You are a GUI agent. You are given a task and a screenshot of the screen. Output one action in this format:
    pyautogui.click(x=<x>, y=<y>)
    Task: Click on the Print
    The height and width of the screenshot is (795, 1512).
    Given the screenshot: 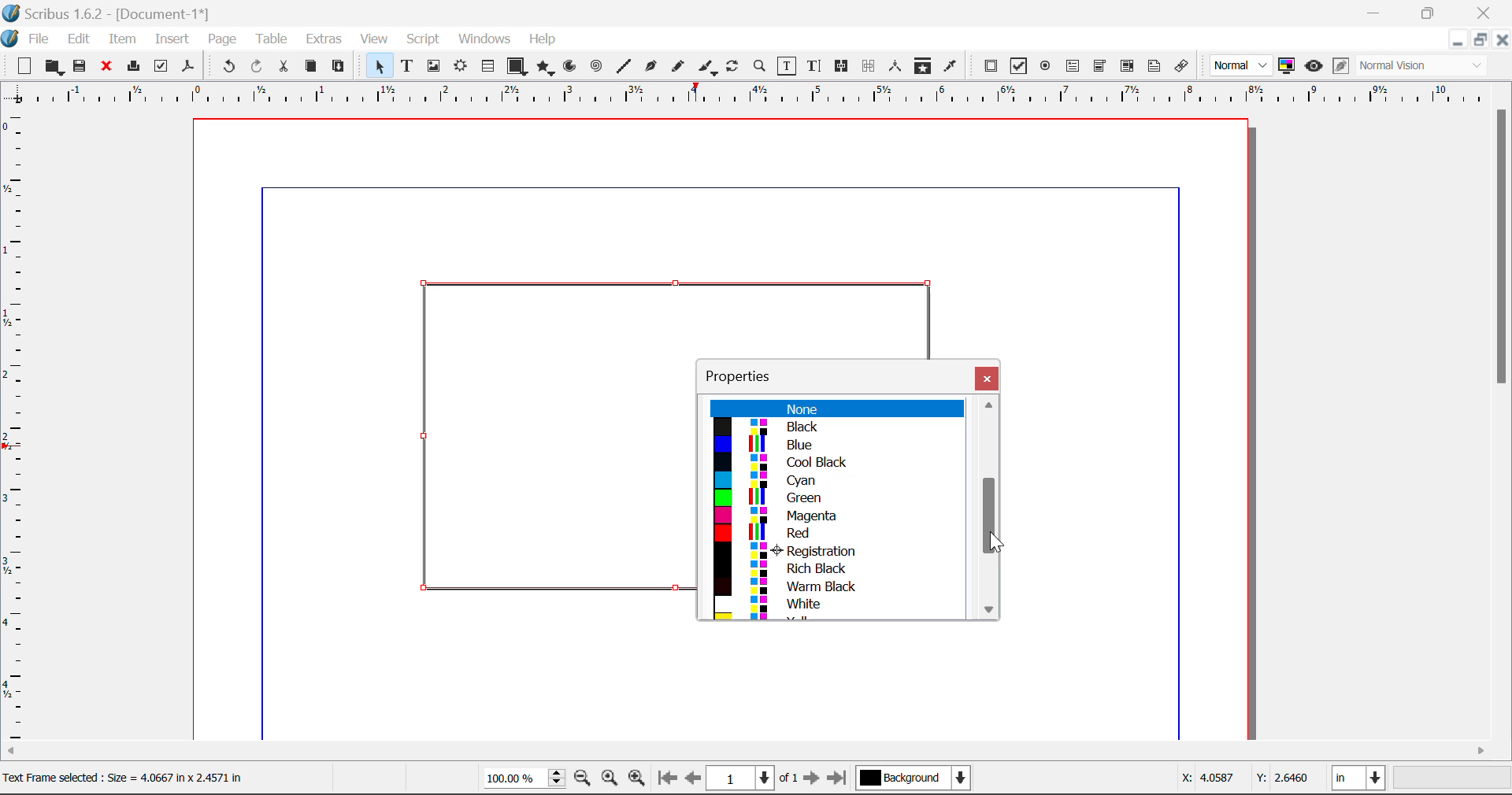 What is the action you would take?
    pyautogui.click(x=132, y=67)
    